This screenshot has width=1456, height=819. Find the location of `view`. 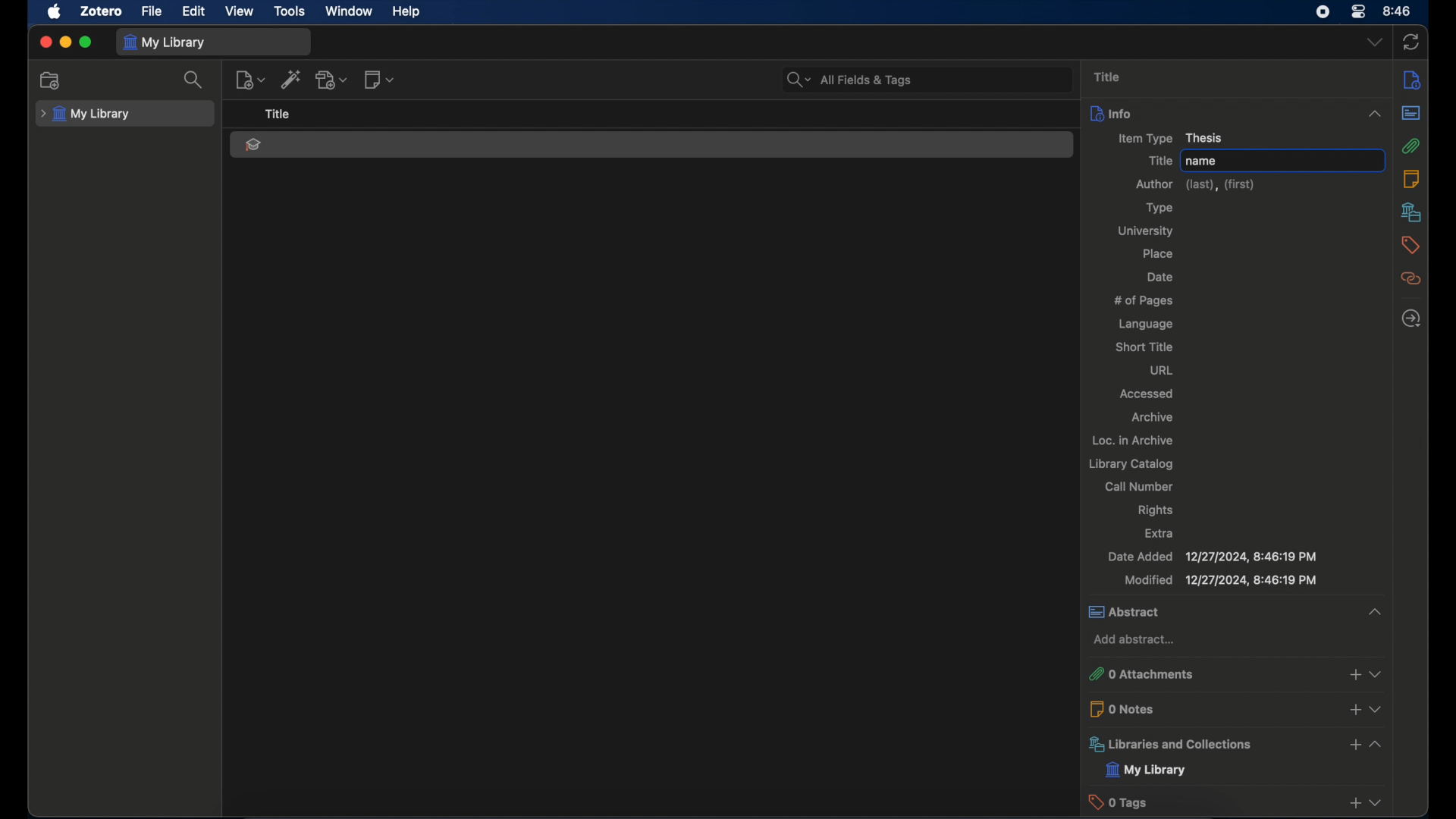

view is located at coordinates (240, 11).